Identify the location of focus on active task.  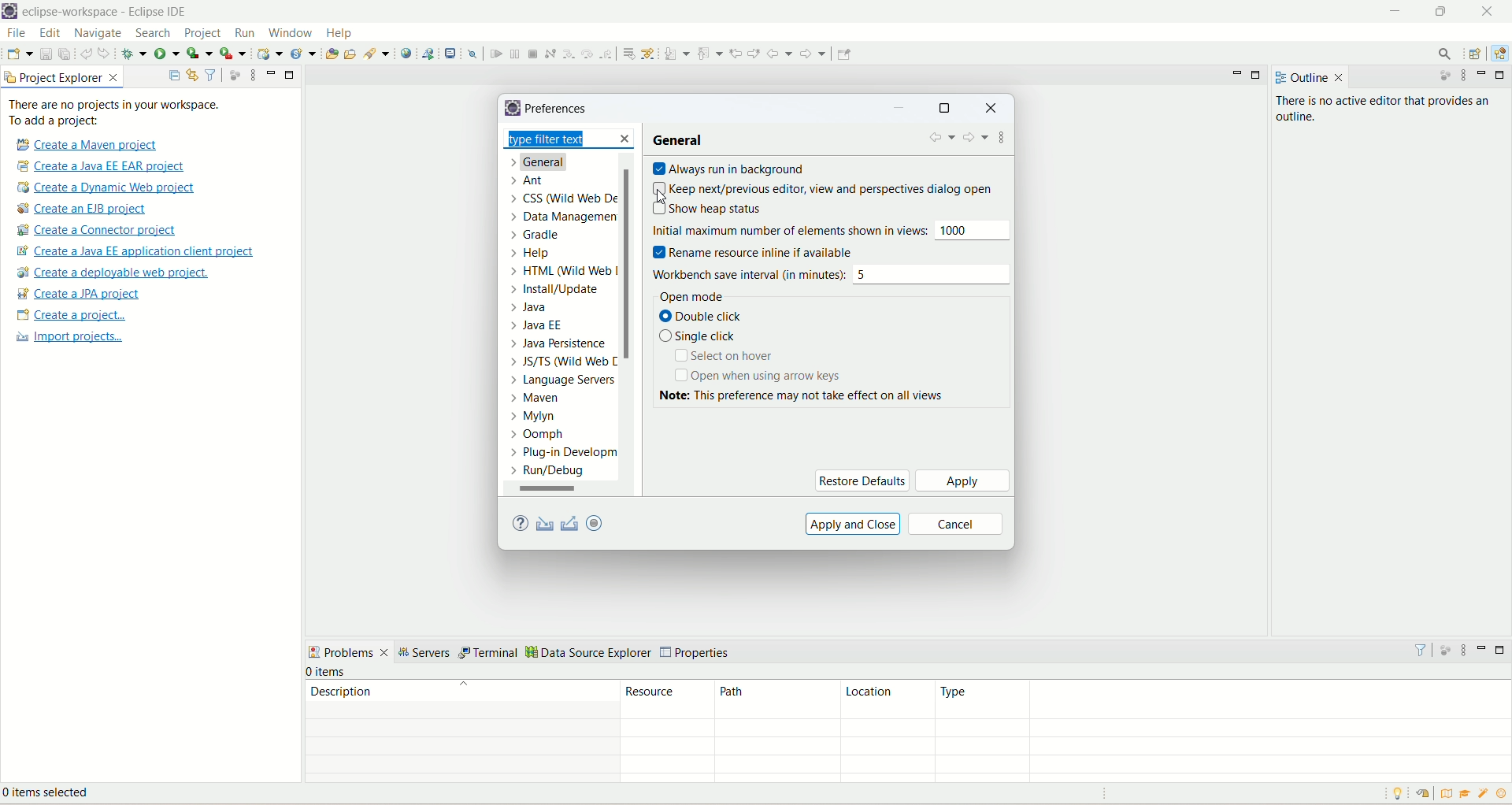
(1443, 648).